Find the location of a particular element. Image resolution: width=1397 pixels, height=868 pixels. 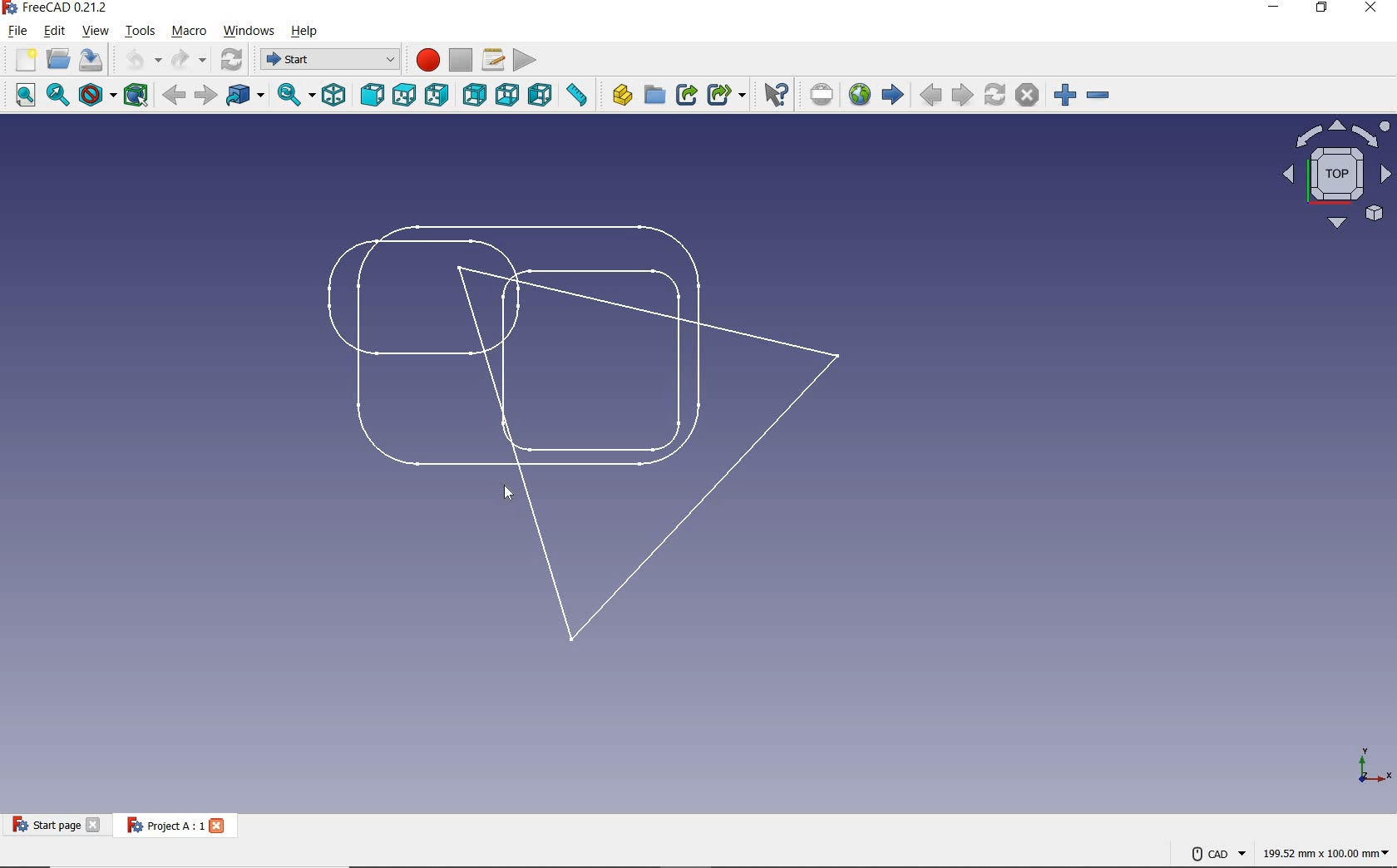

ZOOM IN is located at coordinates (1060, 94).